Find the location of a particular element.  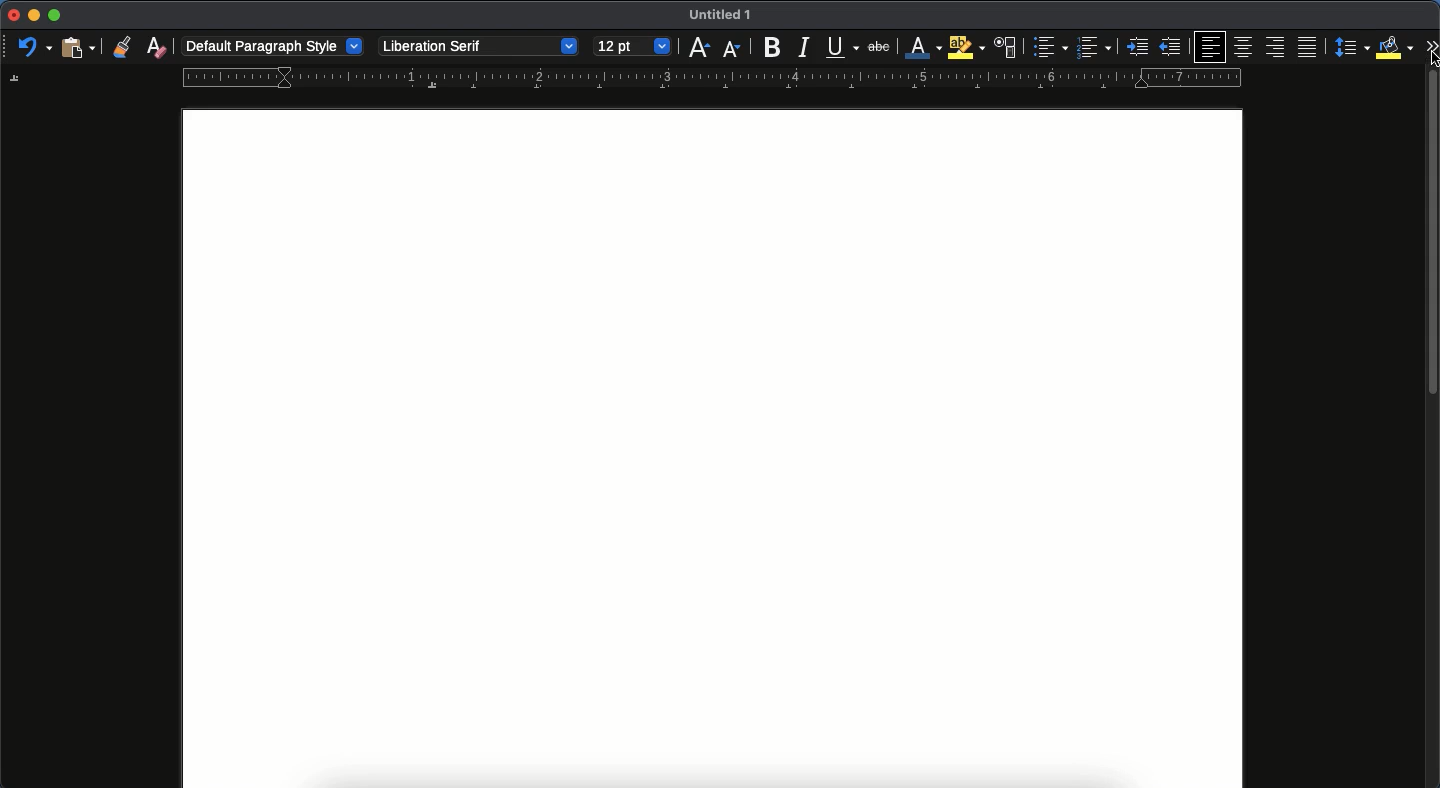

bold is located at coordinates (766, 48).